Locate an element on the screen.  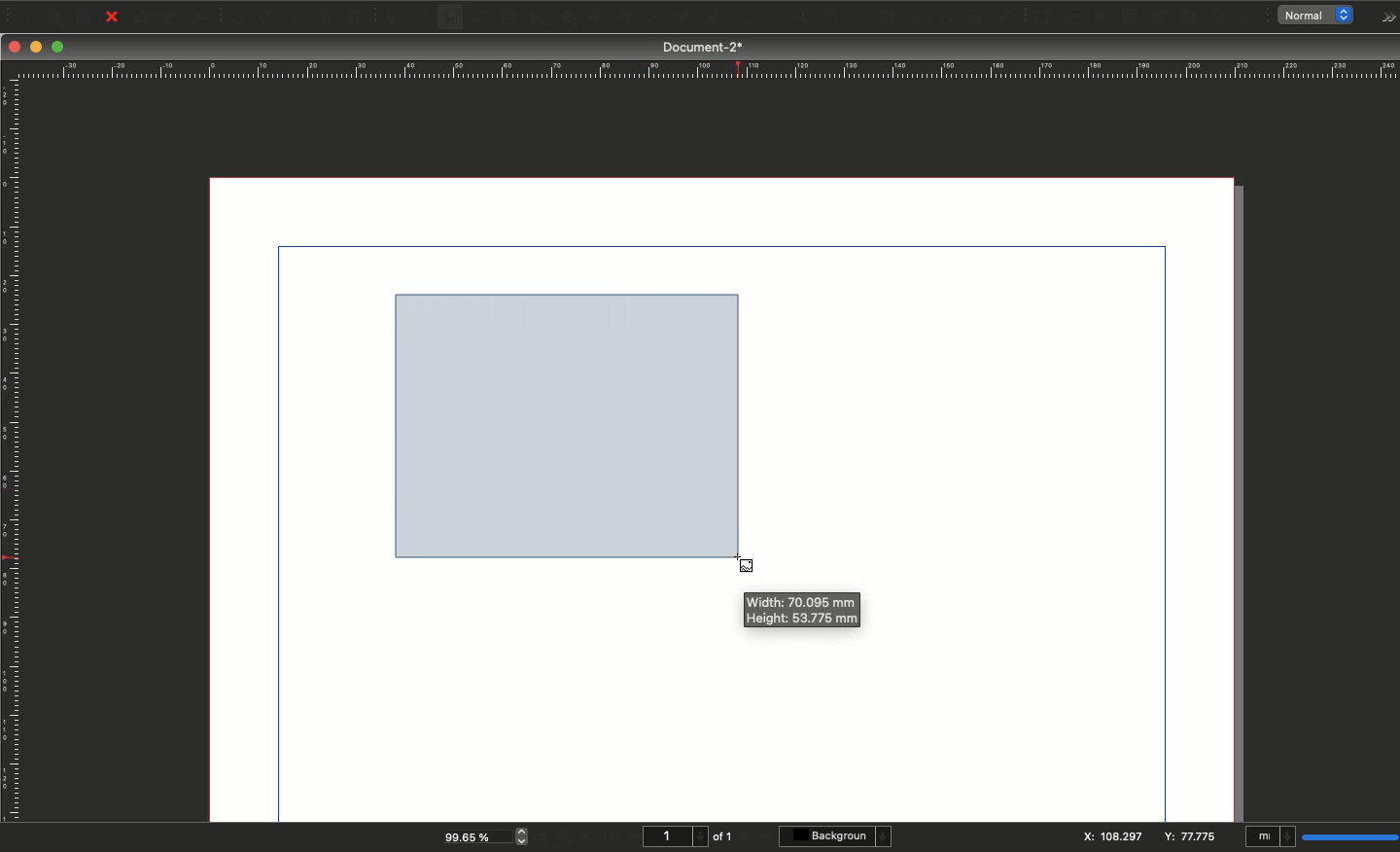
normal is located at coordinates (1320, 16).